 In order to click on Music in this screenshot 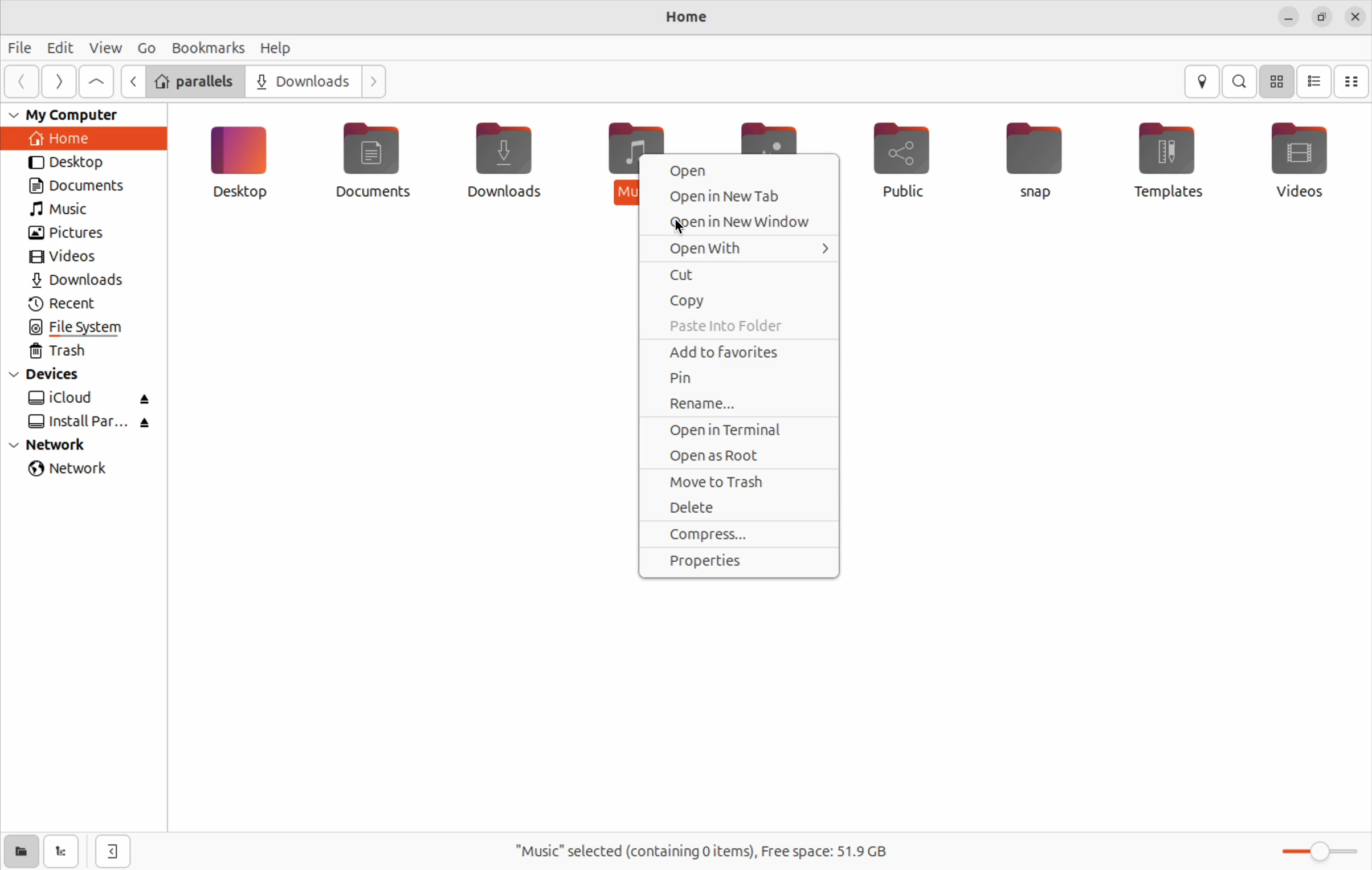, I will do `click(618, 161)`.